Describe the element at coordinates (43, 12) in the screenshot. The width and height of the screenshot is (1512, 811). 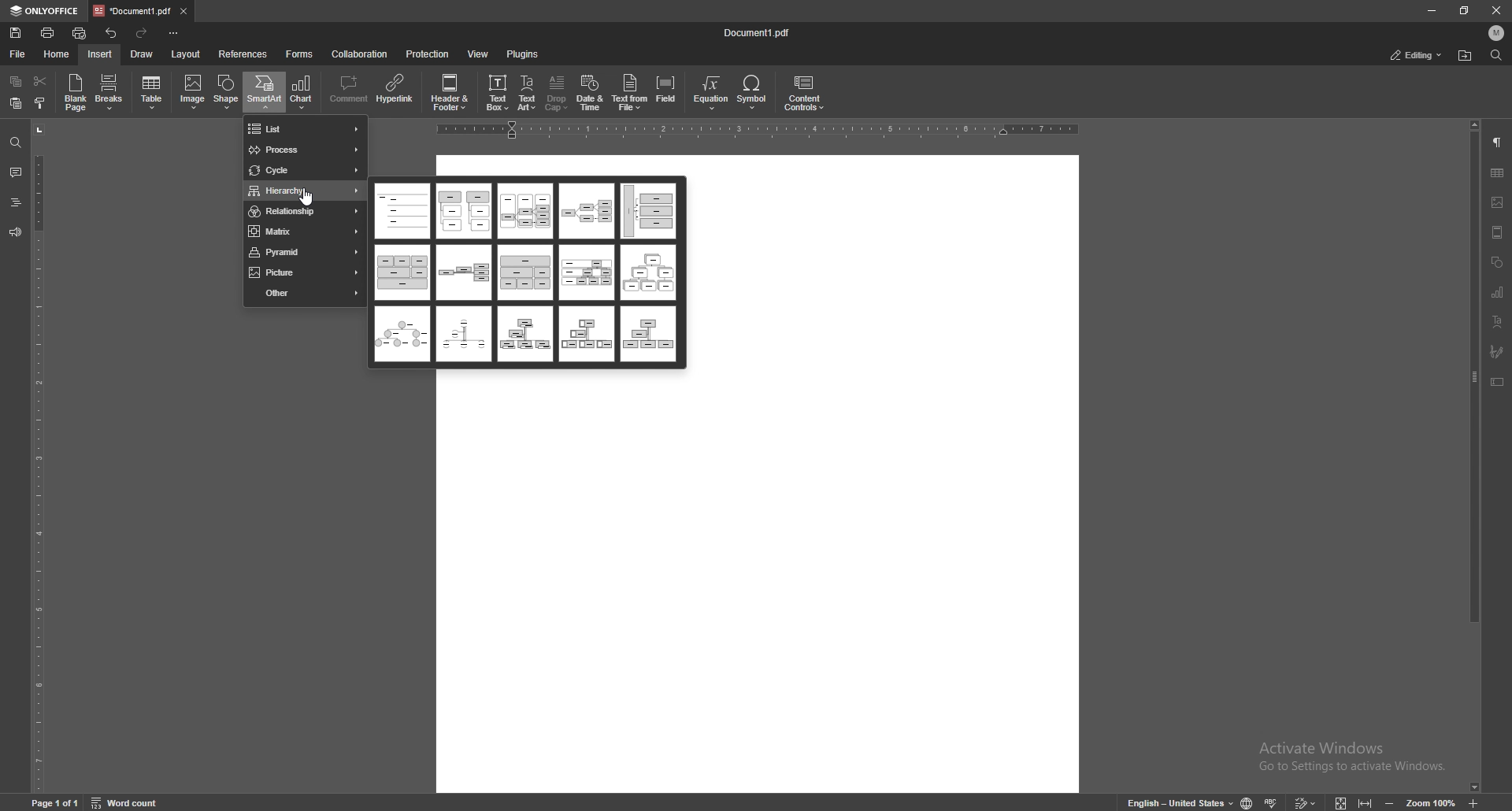
I see `onlyoffice` at that location.